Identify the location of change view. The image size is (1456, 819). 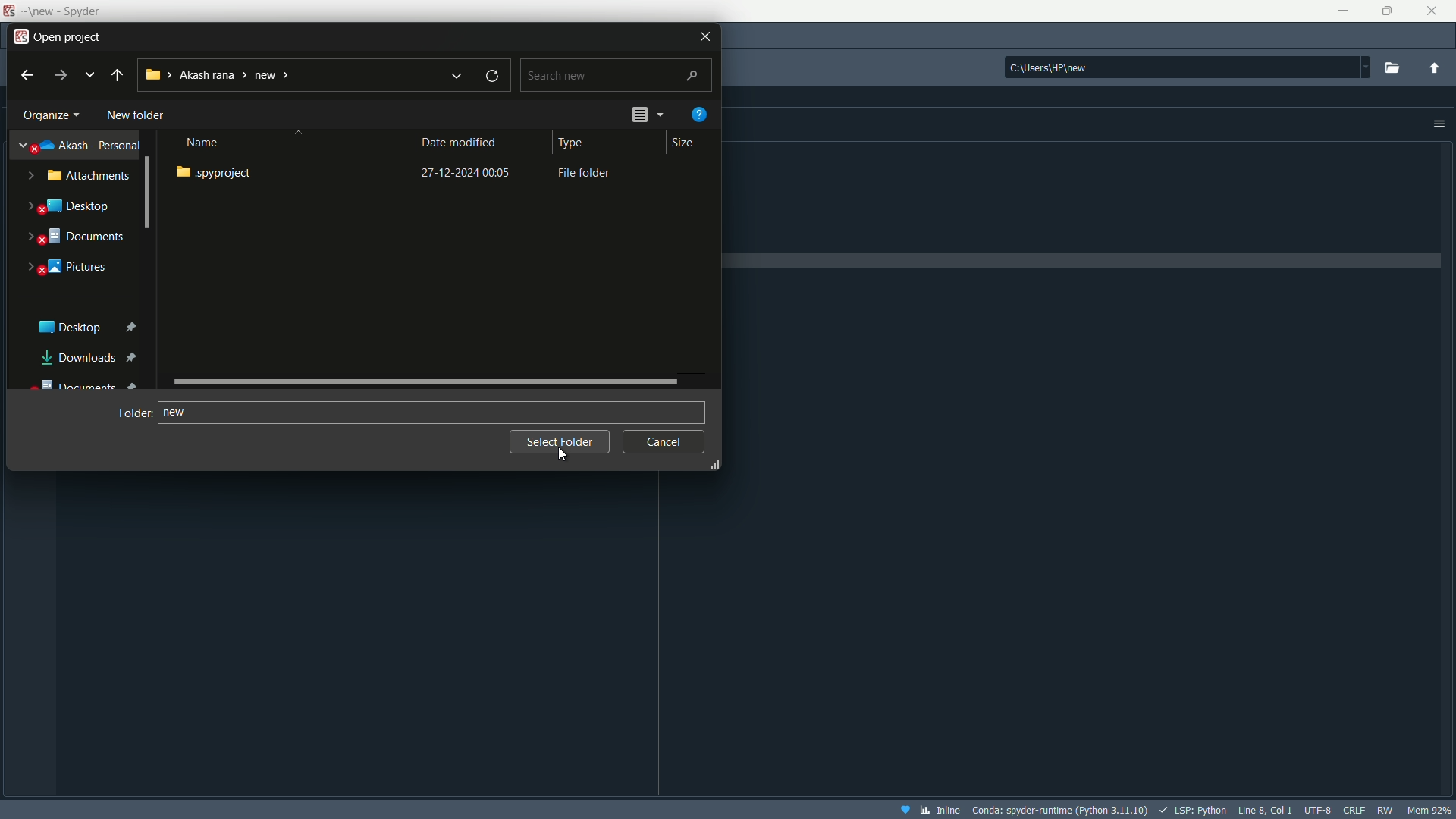
(648, 113).